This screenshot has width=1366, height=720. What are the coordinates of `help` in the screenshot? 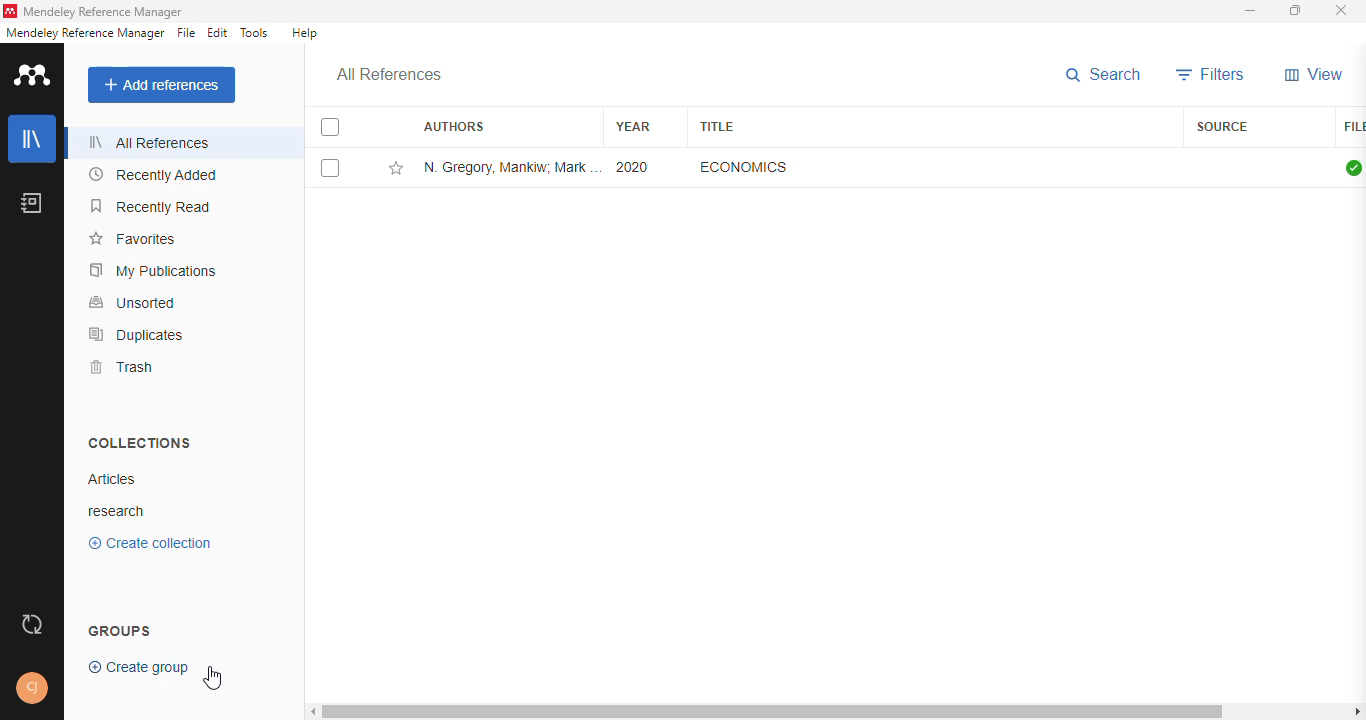 It's located at (305, 33).